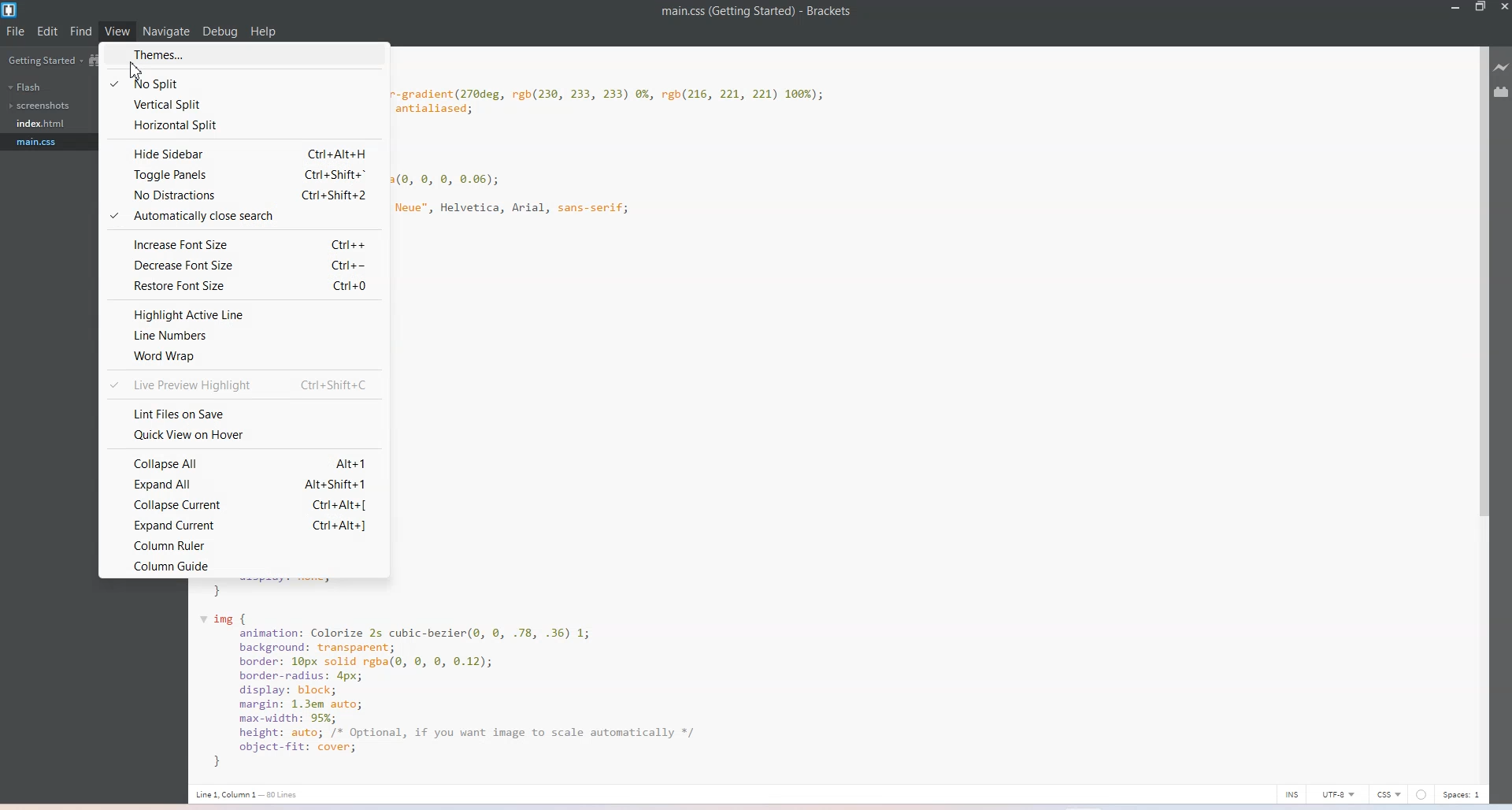  Describe the element at coordinates (220, 32) in the screenshot. I see `Debug` at that location.